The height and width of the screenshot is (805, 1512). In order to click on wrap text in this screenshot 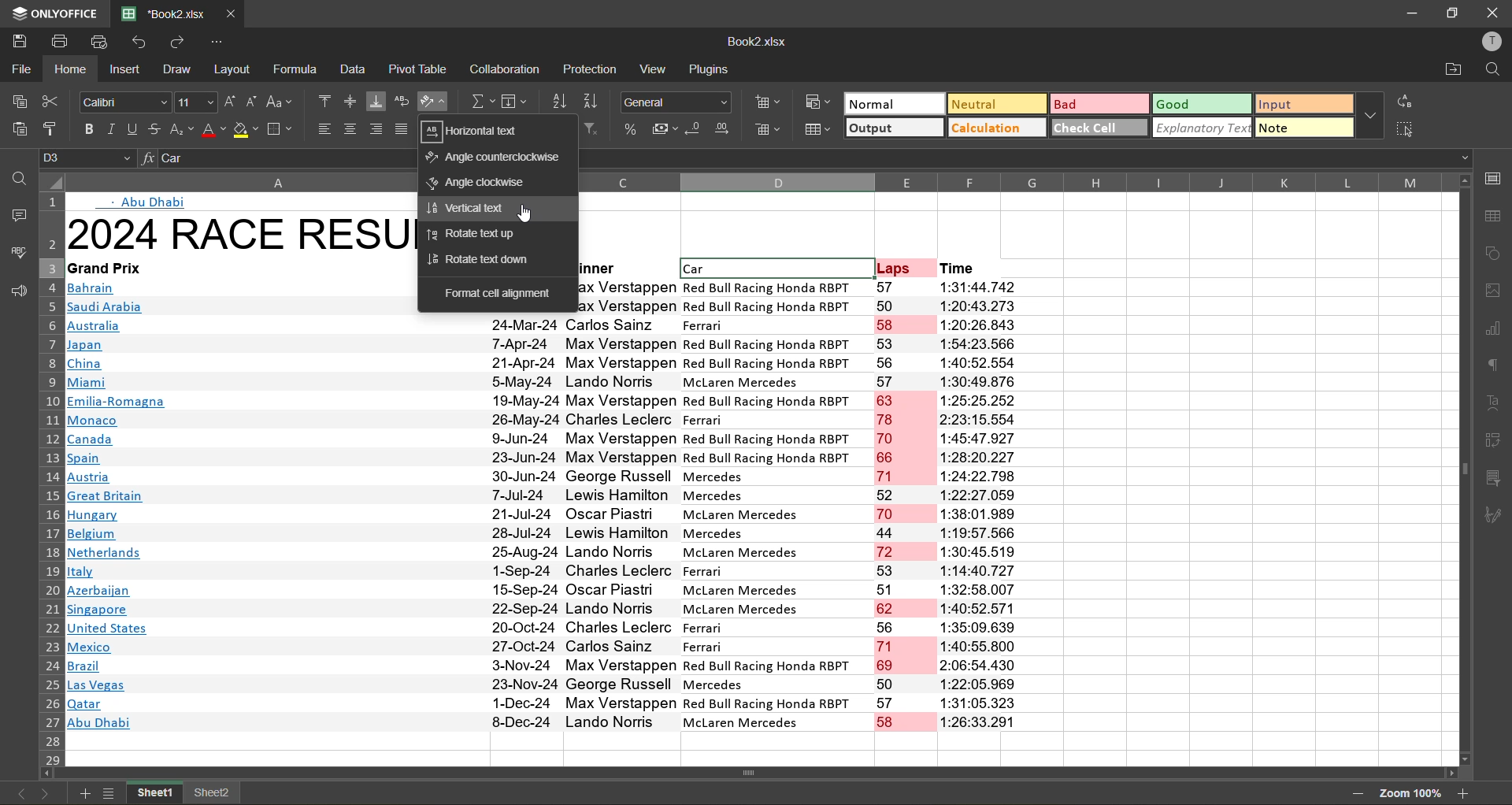, I will do `click(403, 100)`.